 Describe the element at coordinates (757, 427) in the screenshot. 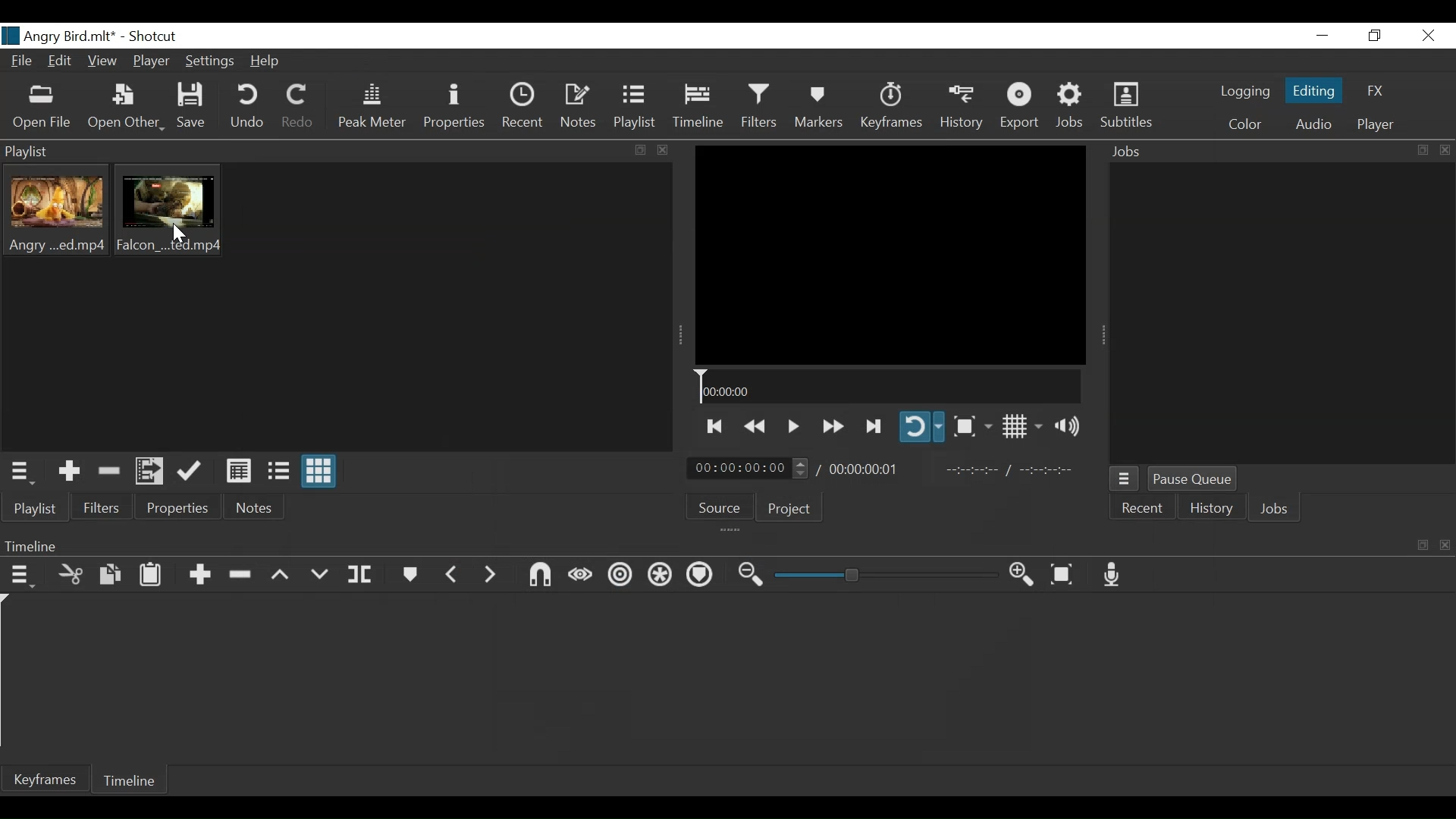

I see `Play backward quickly` at that location.